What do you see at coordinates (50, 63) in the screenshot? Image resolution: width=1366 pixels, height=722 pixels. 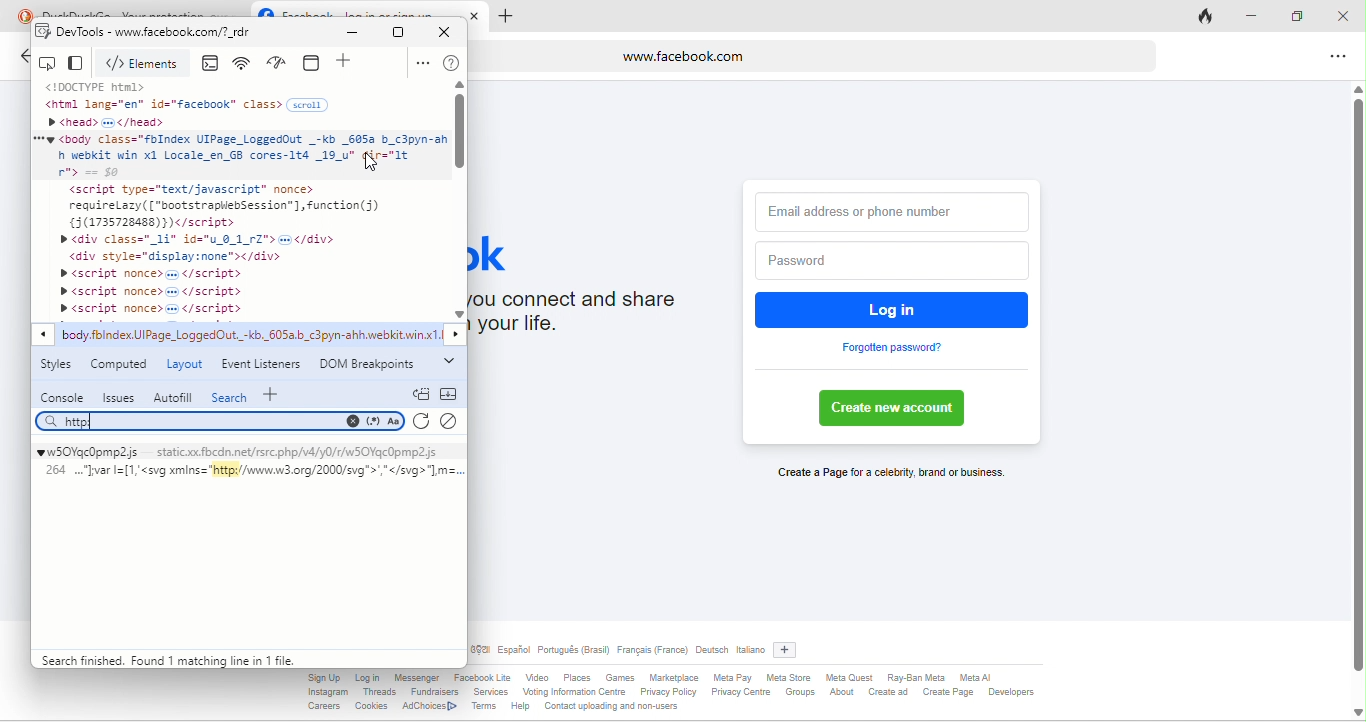 I see `inspect` at bounding box center [50, 63].